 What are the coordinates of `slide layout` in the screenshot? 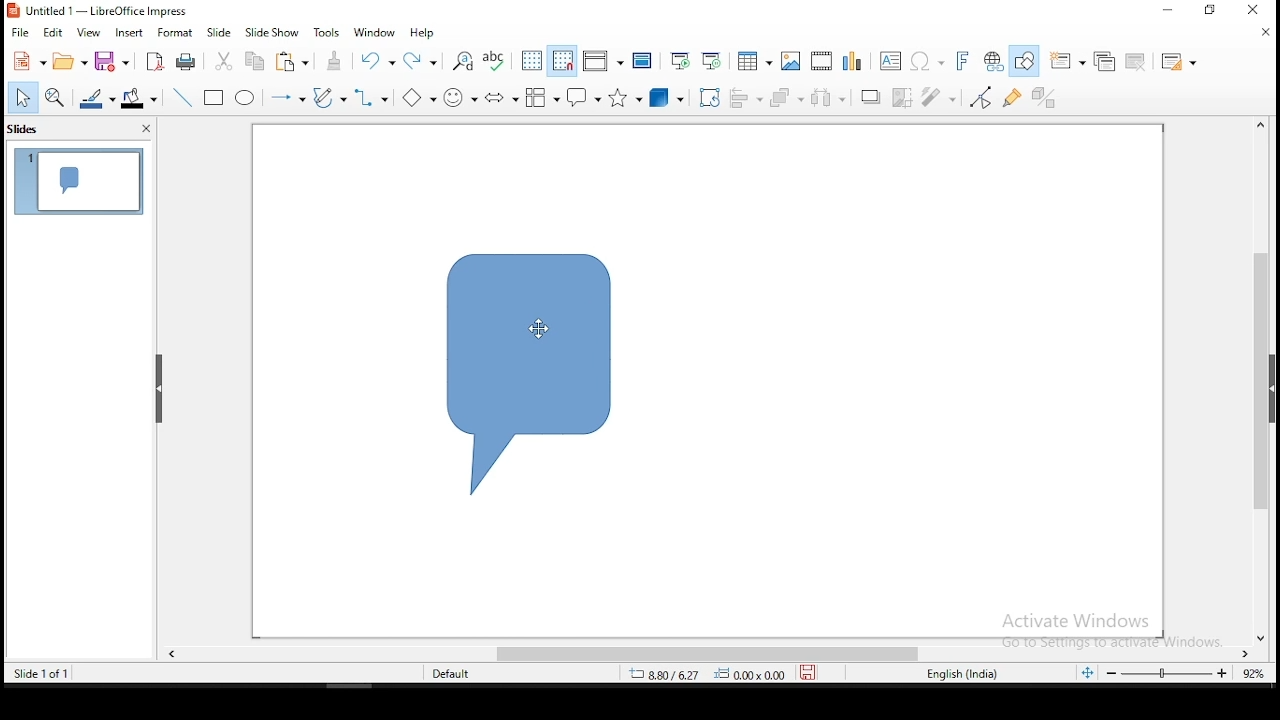 It's located at (1175, 59).